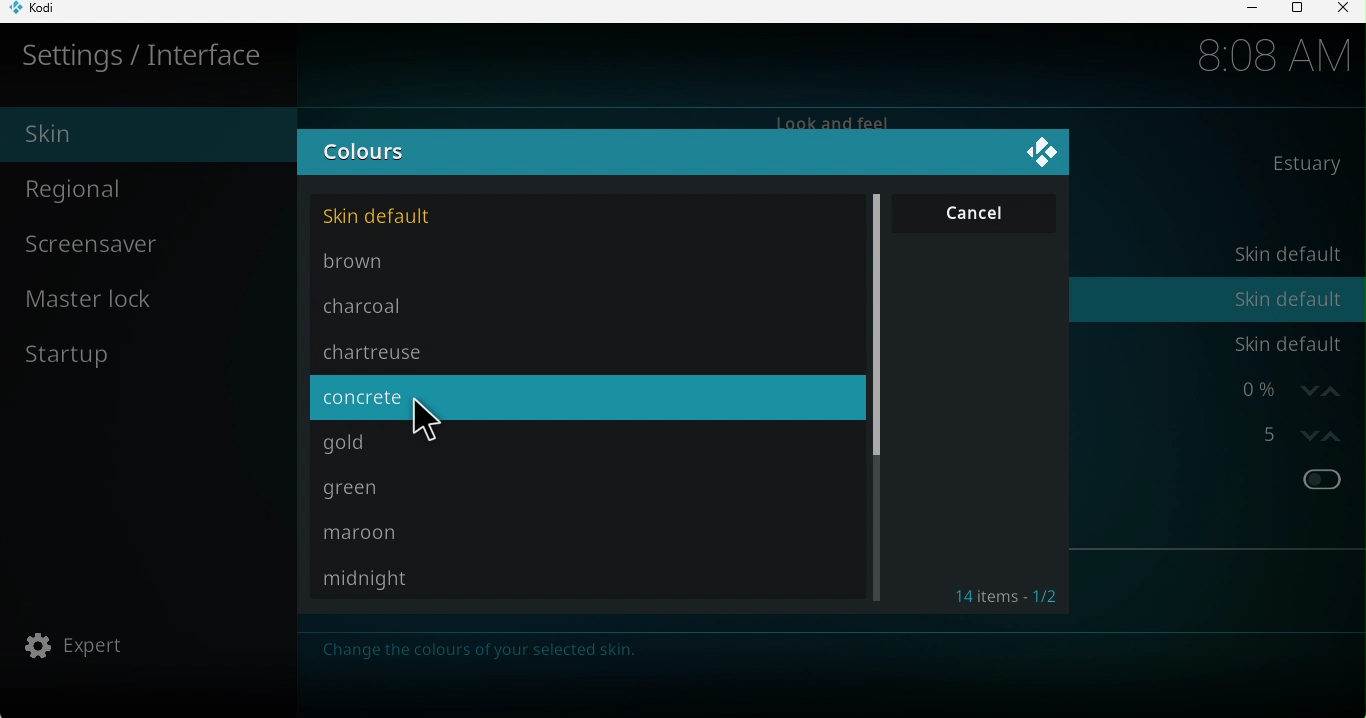 The image size is (1366, 718). I want to click on concrete, so click(583, 397).